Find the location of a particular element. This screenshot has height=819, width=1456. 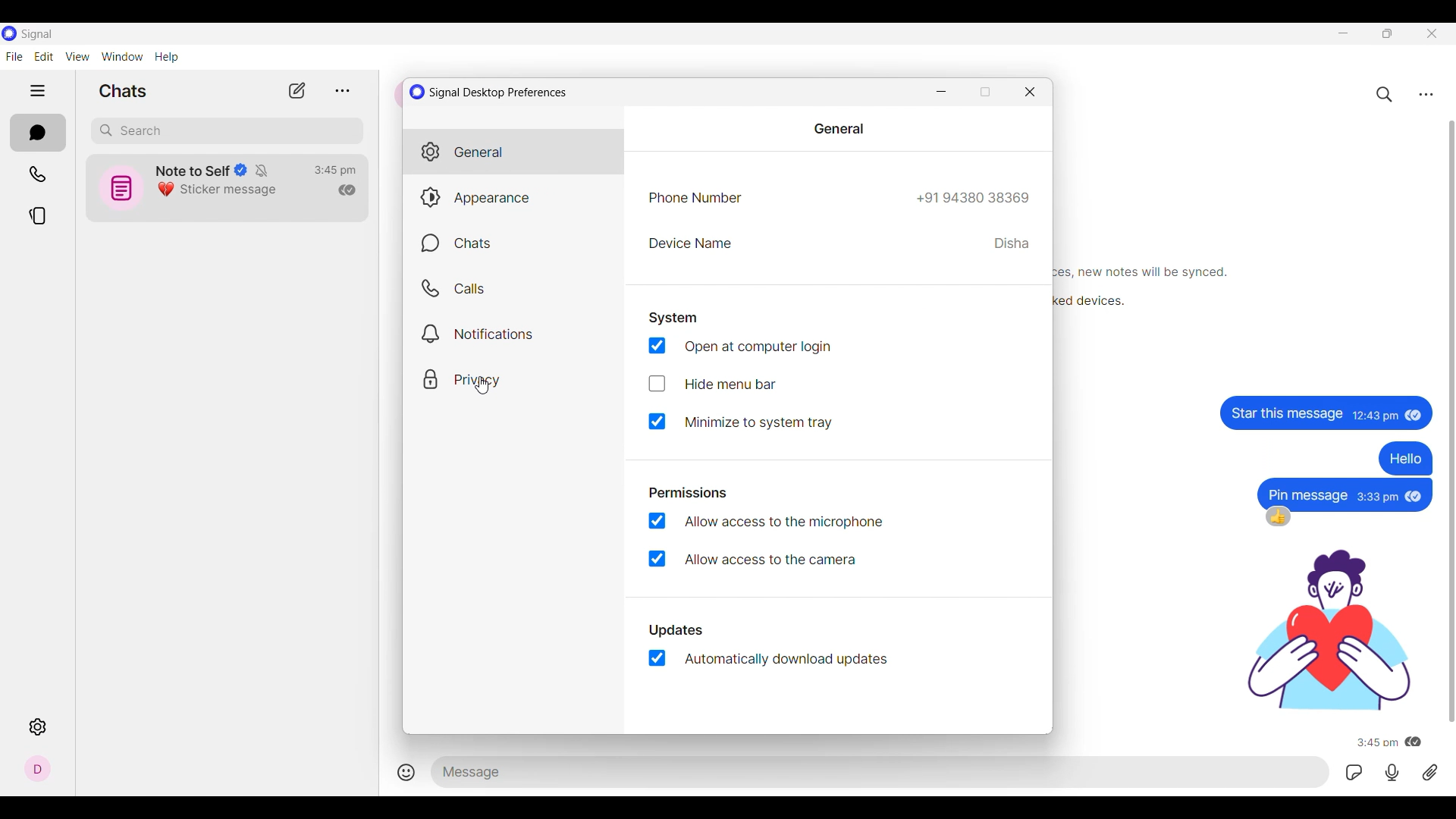

New chat is located at coordinates (297, 90).